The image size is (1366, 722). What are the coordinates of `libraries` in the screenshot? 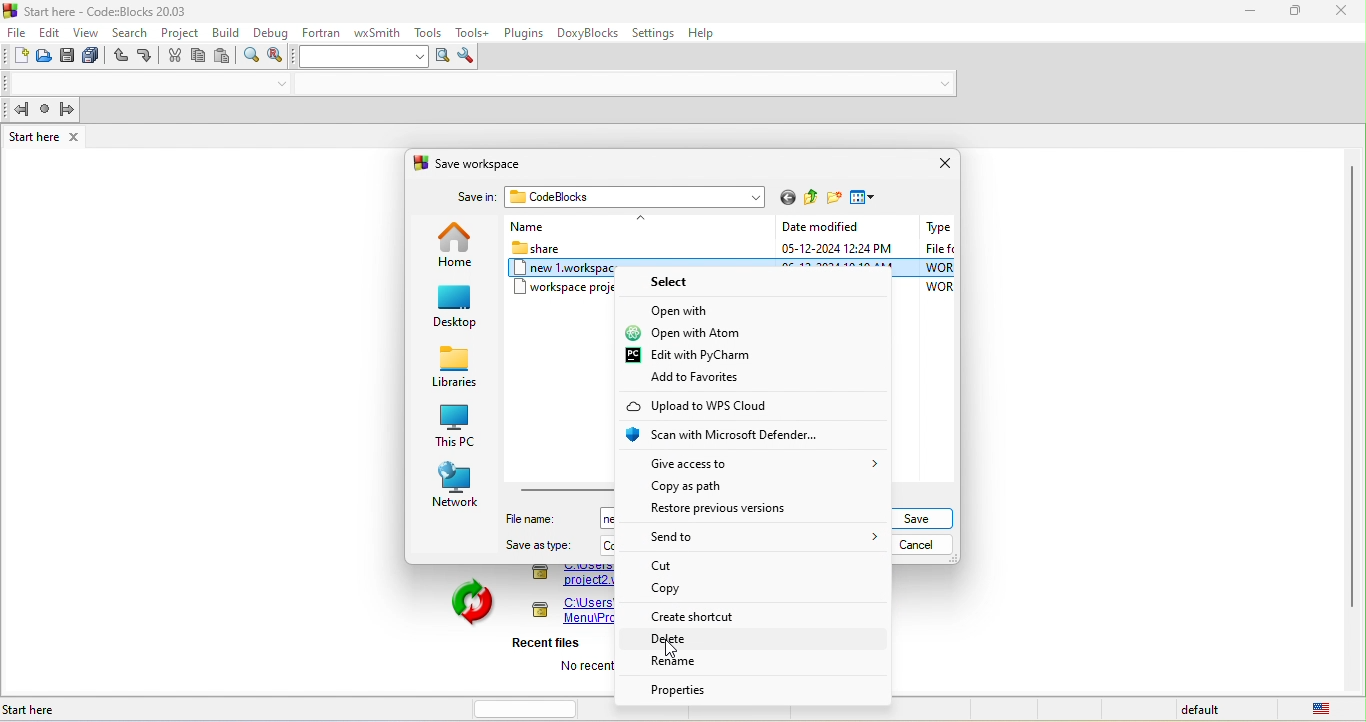 It's located at (455, 369).